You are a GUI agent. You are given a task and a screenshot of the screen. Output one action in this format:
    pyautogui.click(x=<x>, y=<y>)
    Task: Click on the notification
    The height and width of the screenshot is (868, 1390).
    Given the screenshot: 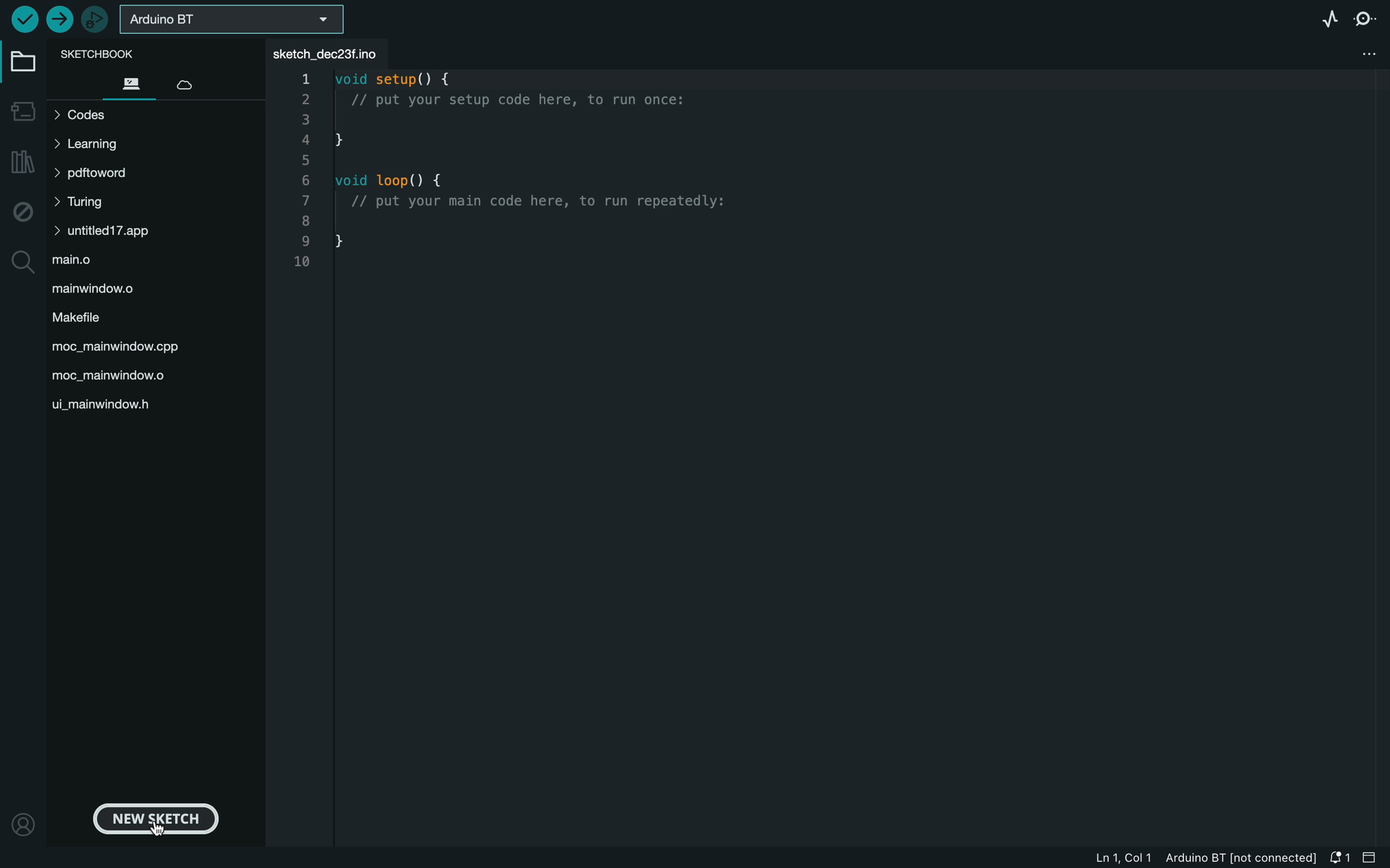 What is the action you would take?
    pyautogui.click(x=1339, y=858)
    